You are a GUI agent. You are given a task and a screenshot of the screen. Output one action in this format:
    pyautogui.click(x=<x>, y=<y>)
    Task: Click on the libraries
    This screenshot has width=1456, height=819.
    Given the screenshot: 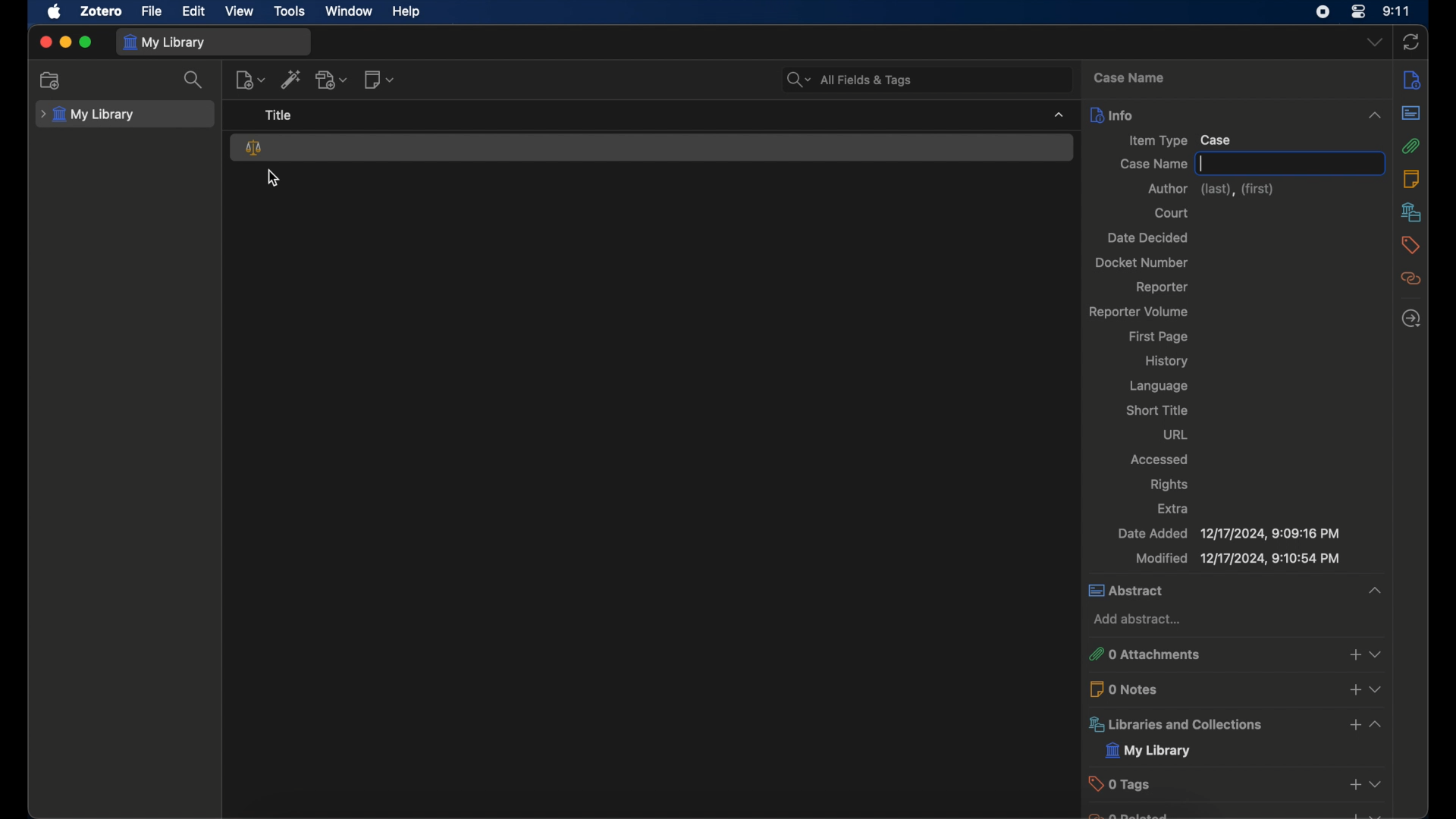 What is the action you would take?
    pyautogui.click(x=1237, y=724)
    